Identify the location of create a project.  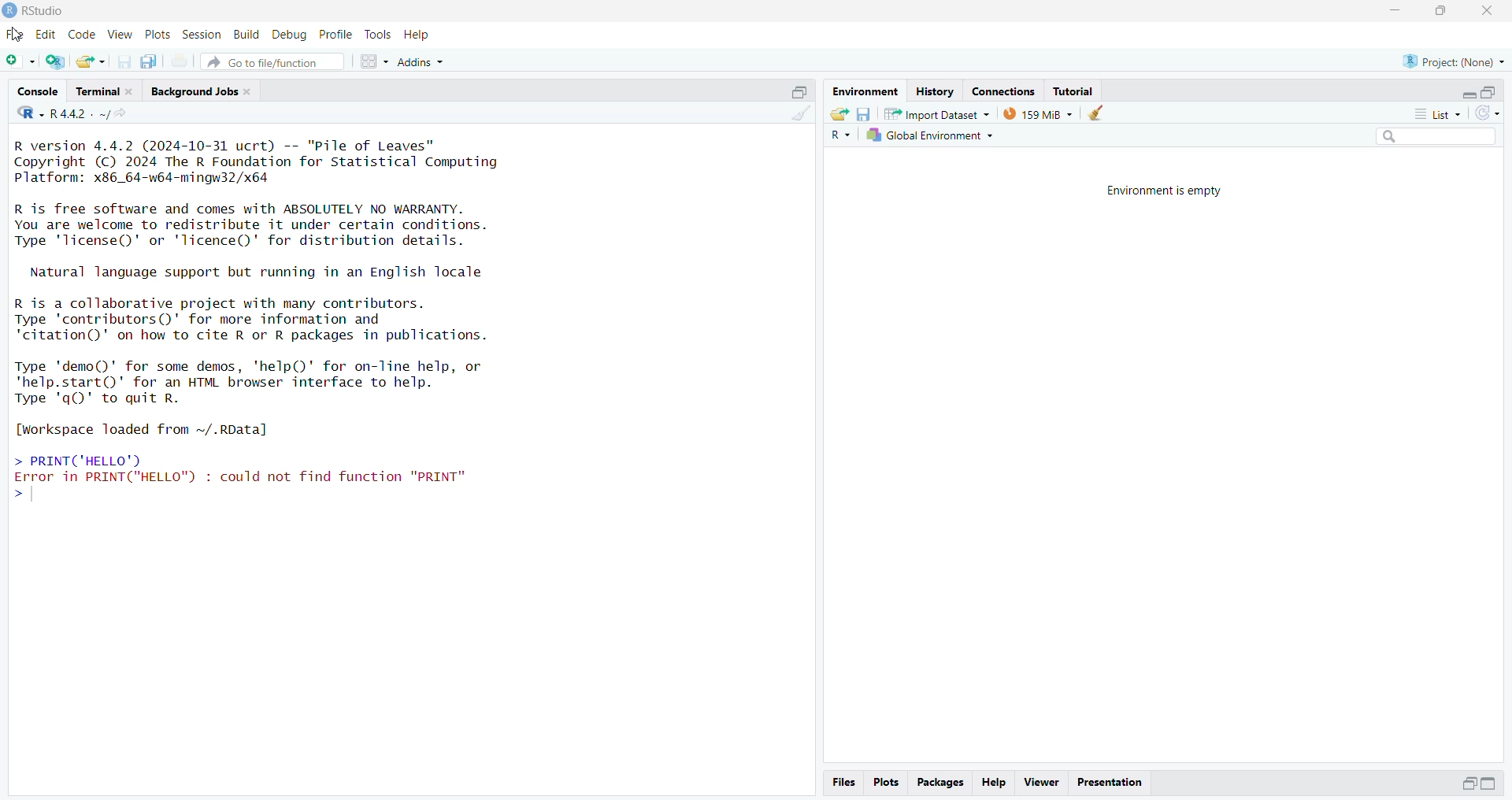
(57, 61).